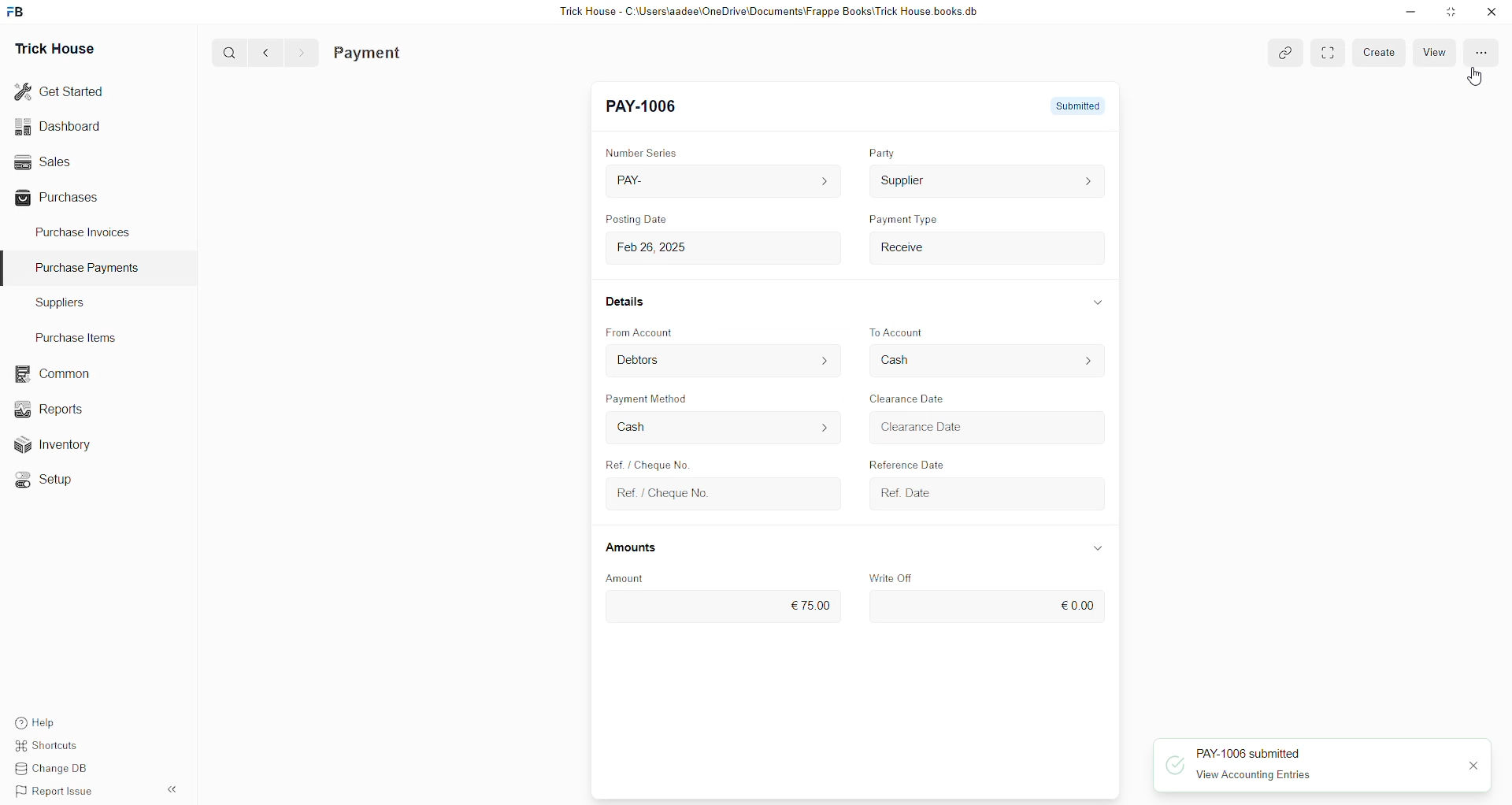 This screenshot has width=1512, height=805. I want to click on Reference Date, so click(921, 465).